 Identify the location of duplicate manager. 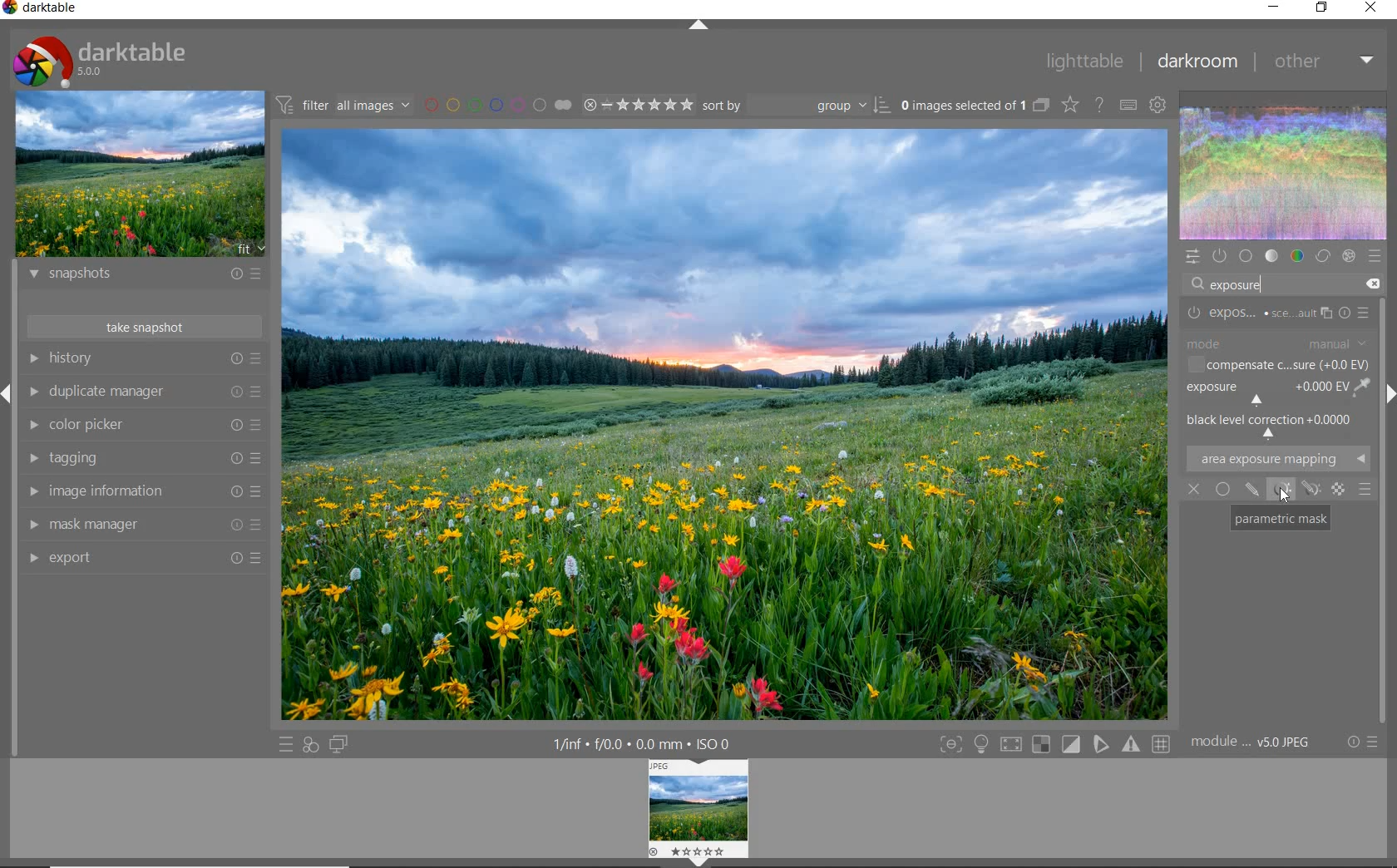
(146, 394).